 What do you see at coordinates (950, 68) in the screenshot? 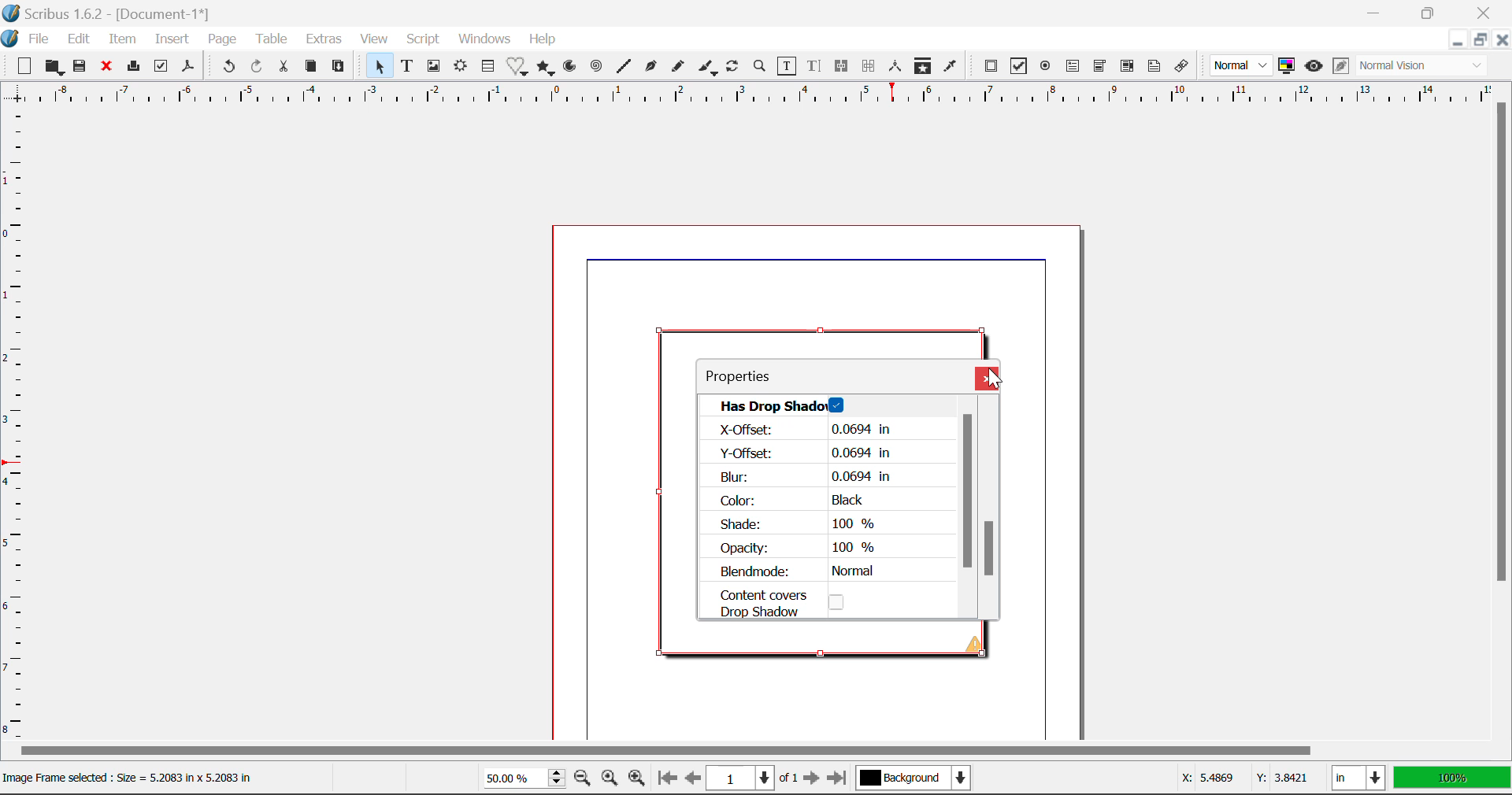
I see `Eyedropper` at bounding box center [950, 68].